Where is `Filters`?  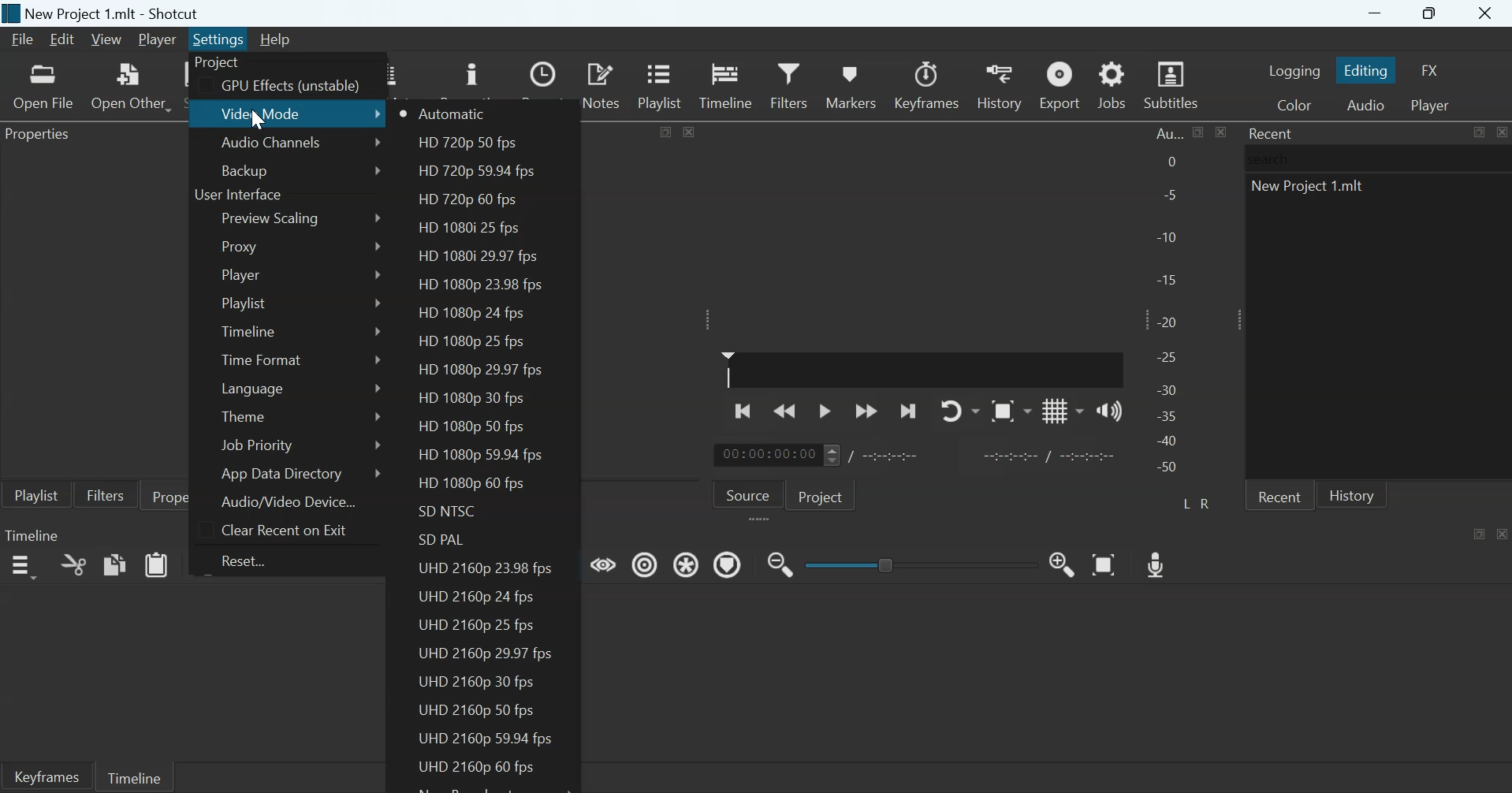
Filters is located at coordinates (105, 494).